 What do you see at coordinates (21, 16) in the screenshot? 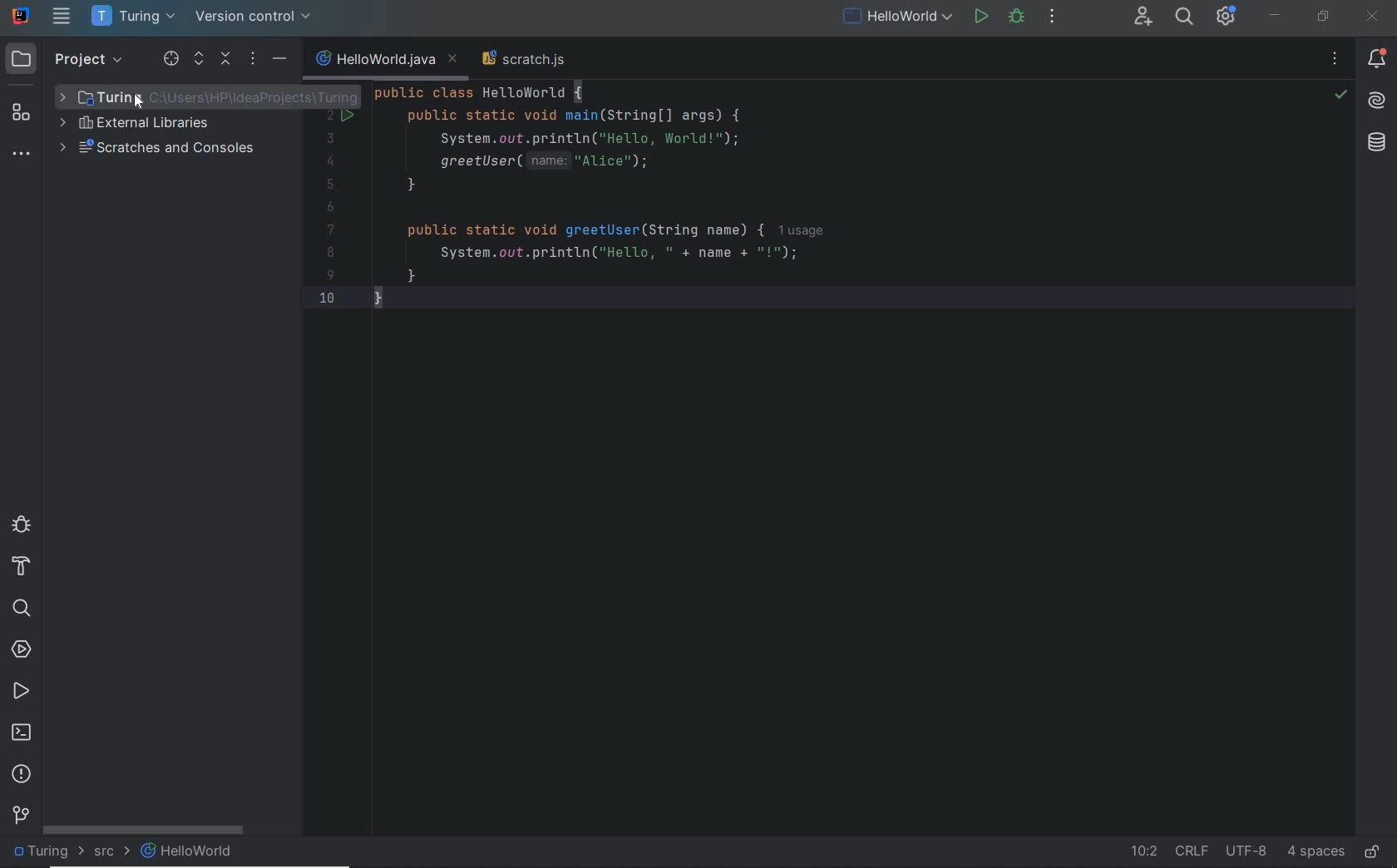
I see `system name` at bounding box center [21, 16].